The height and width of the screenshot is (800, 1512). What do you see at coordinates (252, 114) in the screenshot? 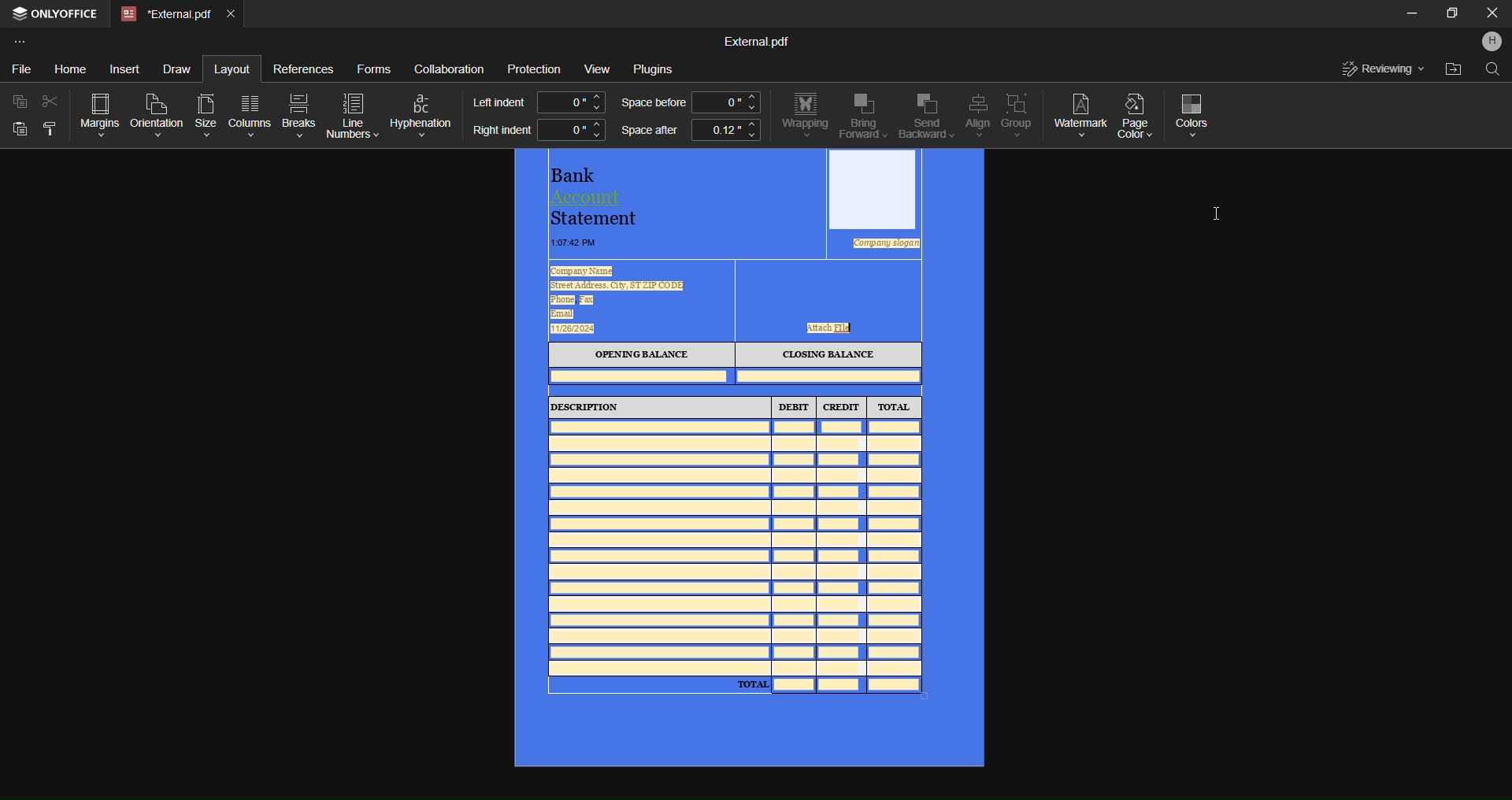
I see `Columns` at bounding box center [252, 114].